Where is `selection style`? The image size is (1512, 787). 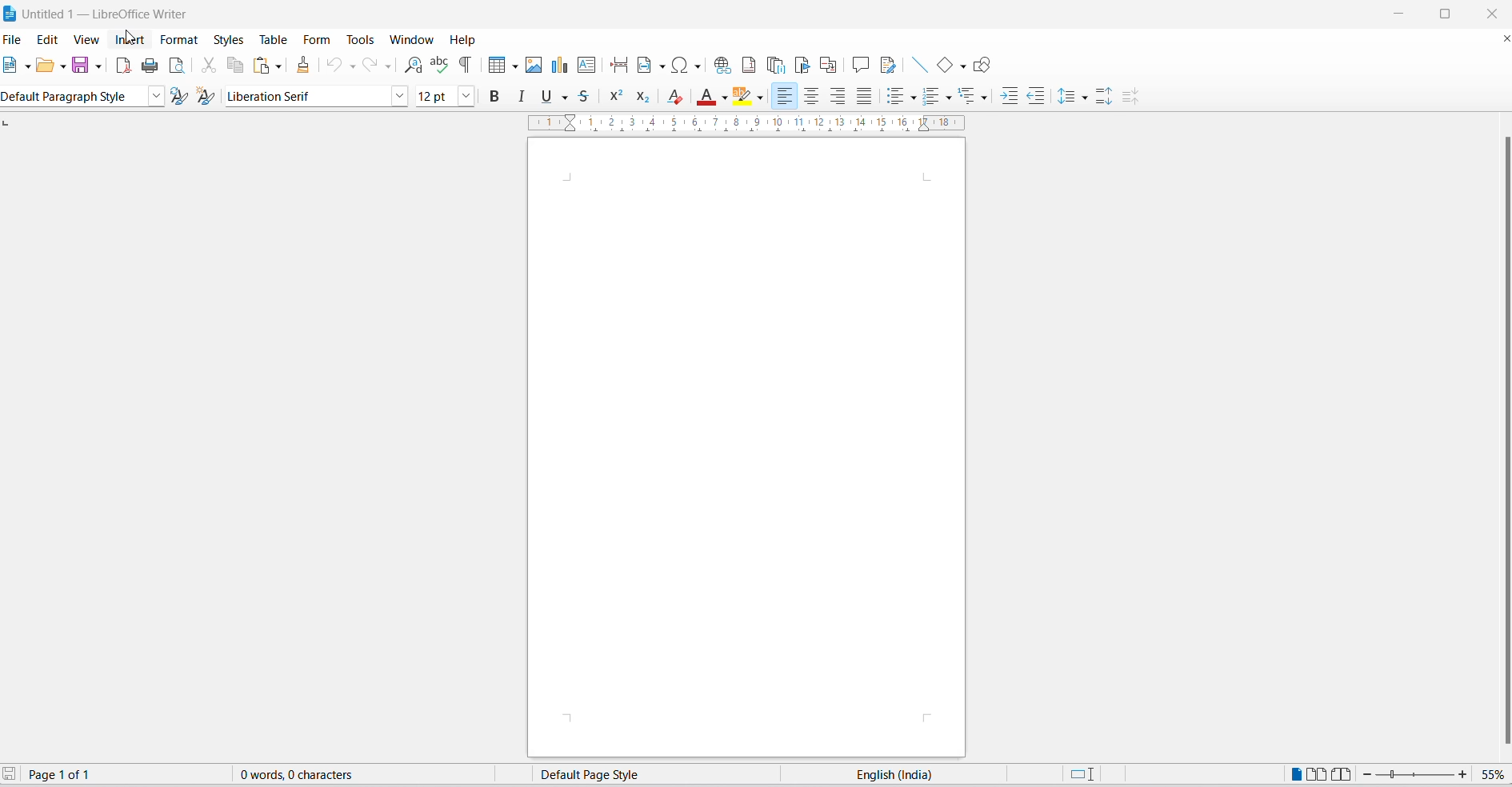
selection style is located at coordinates (1080, 775).